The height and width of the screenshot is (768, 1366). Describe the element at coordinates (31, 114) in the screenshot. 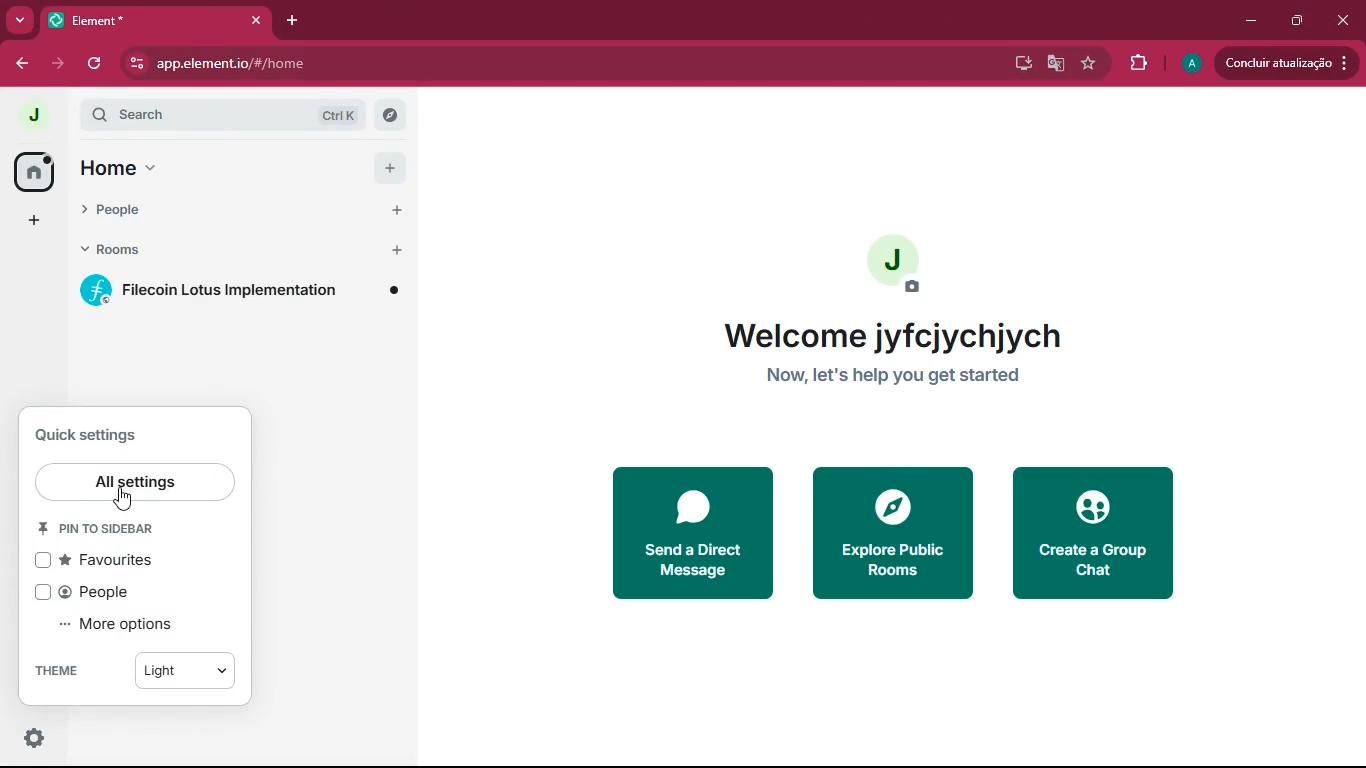

I see `profile picture` at that location.